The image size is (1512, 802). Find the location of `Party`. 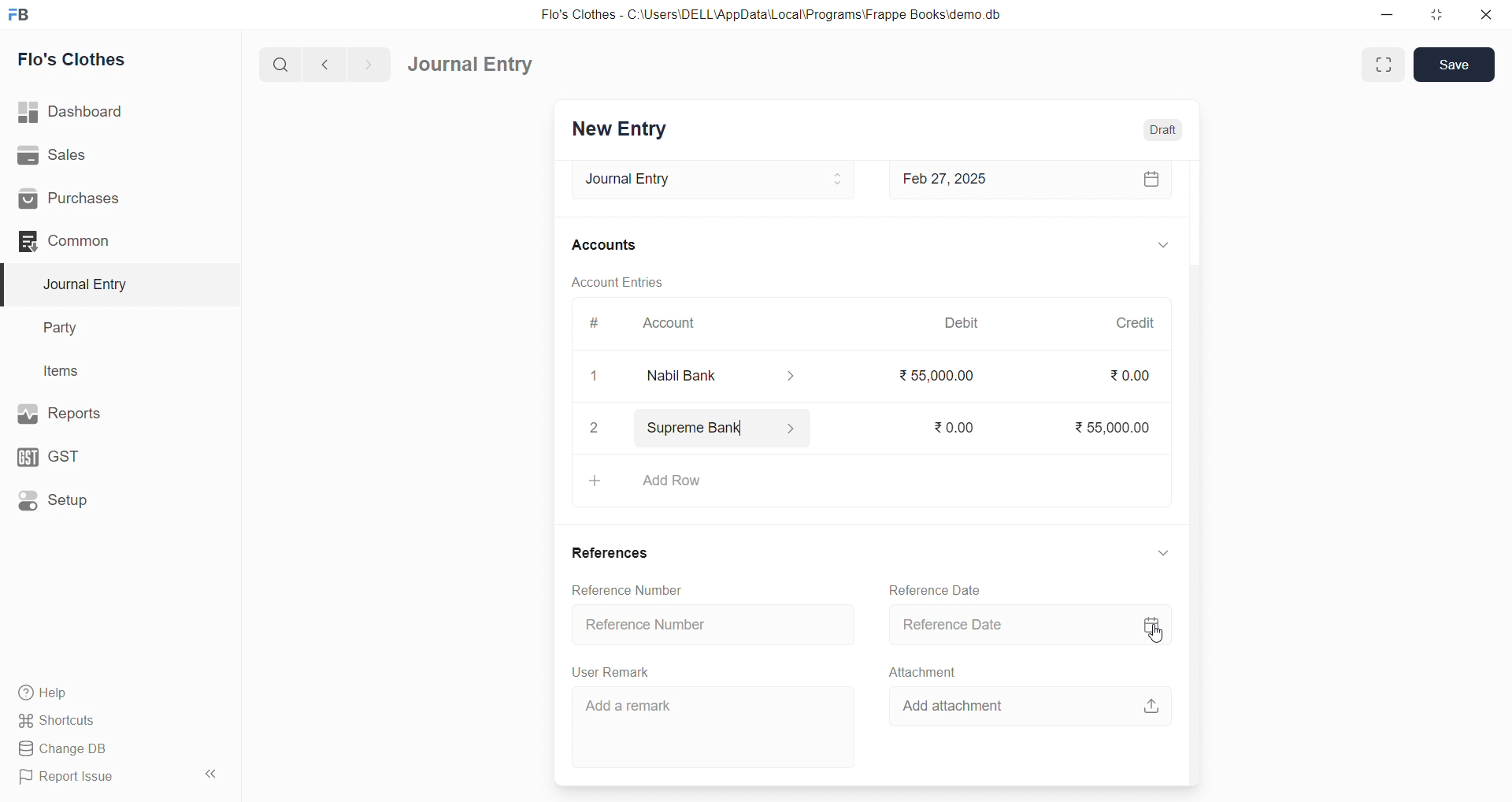

Party is located at coordinates (70, 326).